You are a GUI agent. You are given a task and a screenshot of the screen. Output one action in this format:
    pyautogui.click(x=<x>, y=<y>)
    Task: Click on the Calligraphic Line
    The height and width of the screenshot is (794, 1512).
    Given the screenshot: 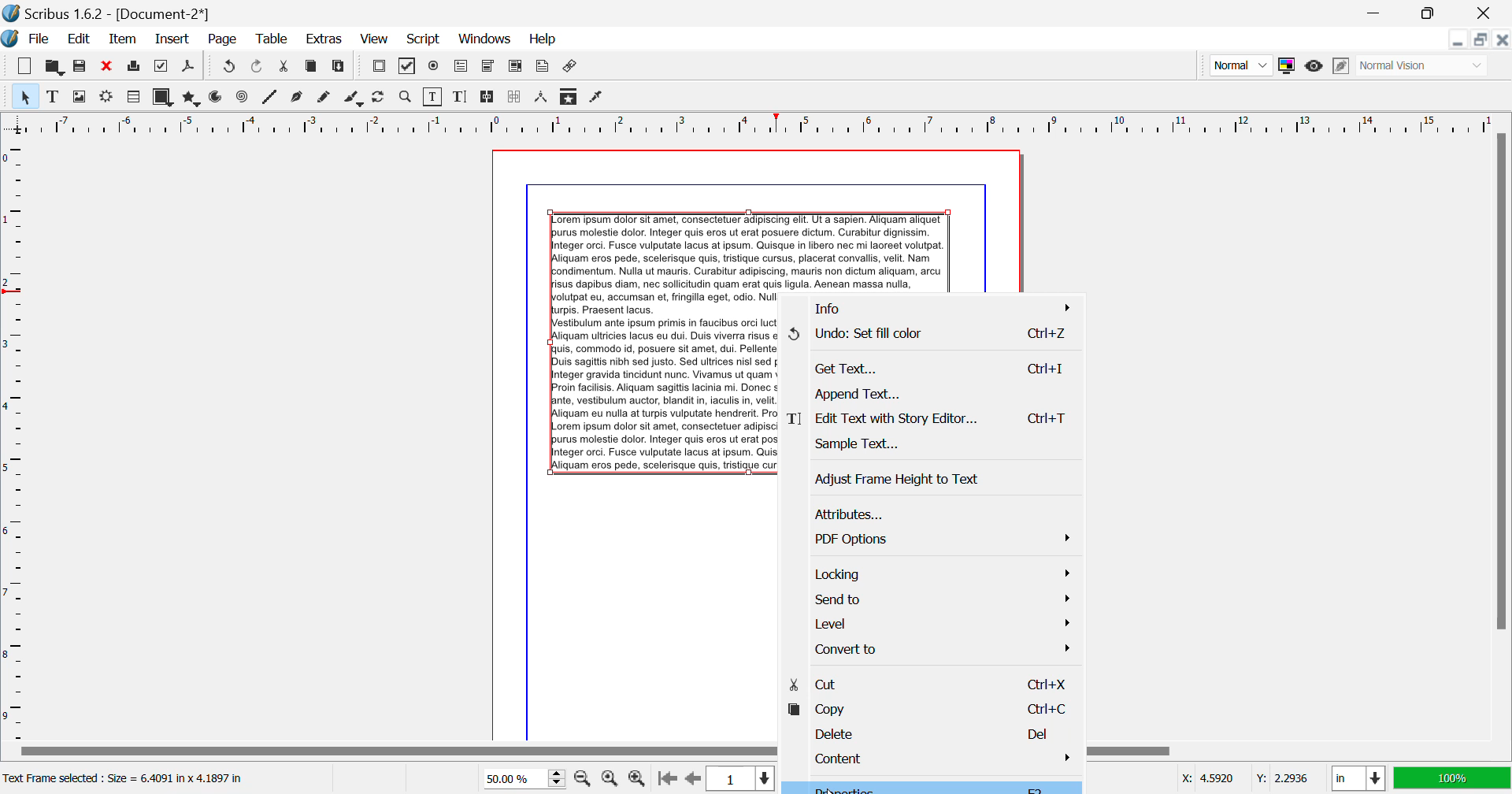 What is the action you would take?
    pyautogui.click(x=354, y=99)
    